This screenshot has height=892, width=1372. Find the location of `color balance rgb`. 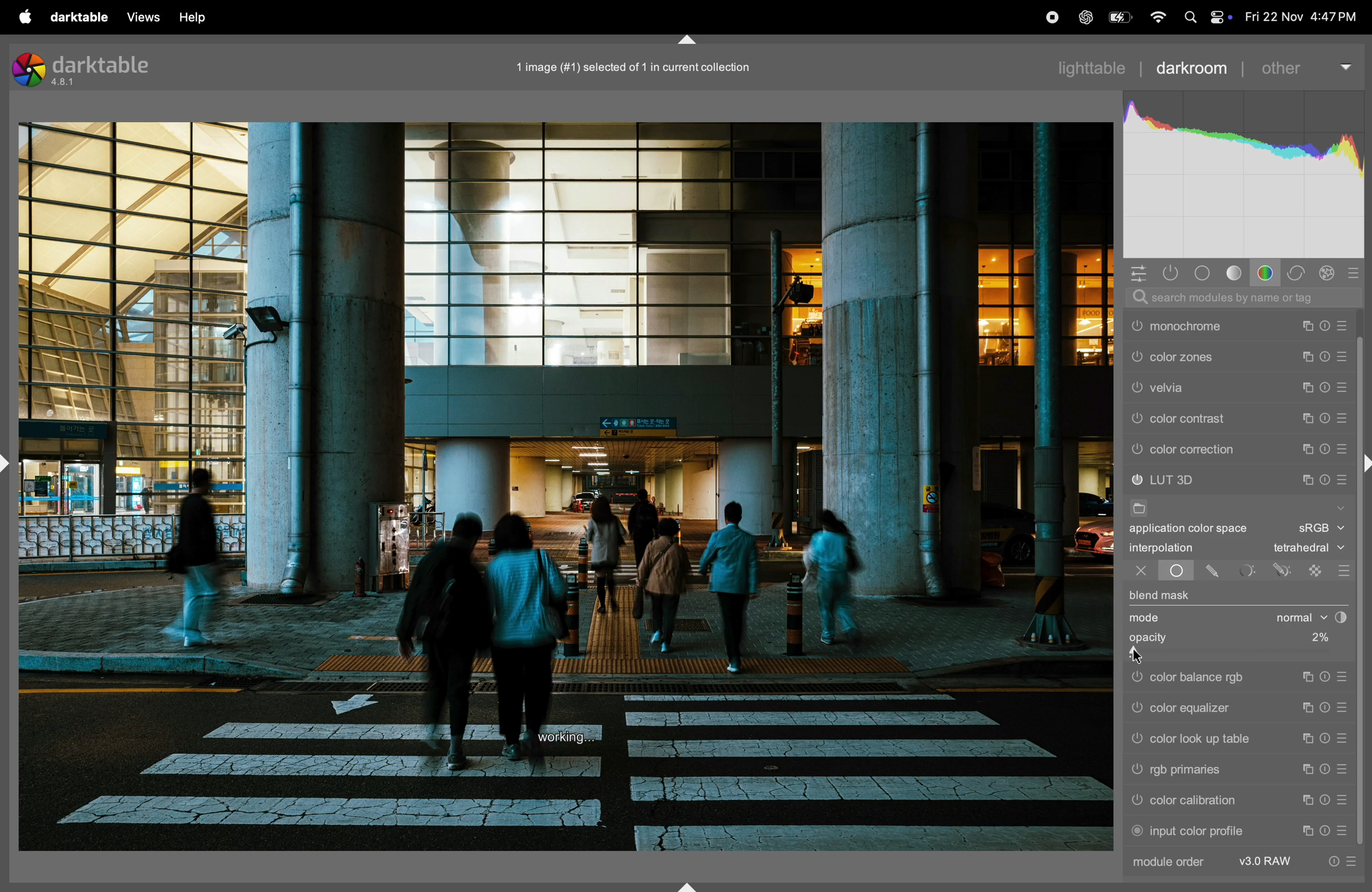

color balance rgb is located at coordinates (1211, 678).